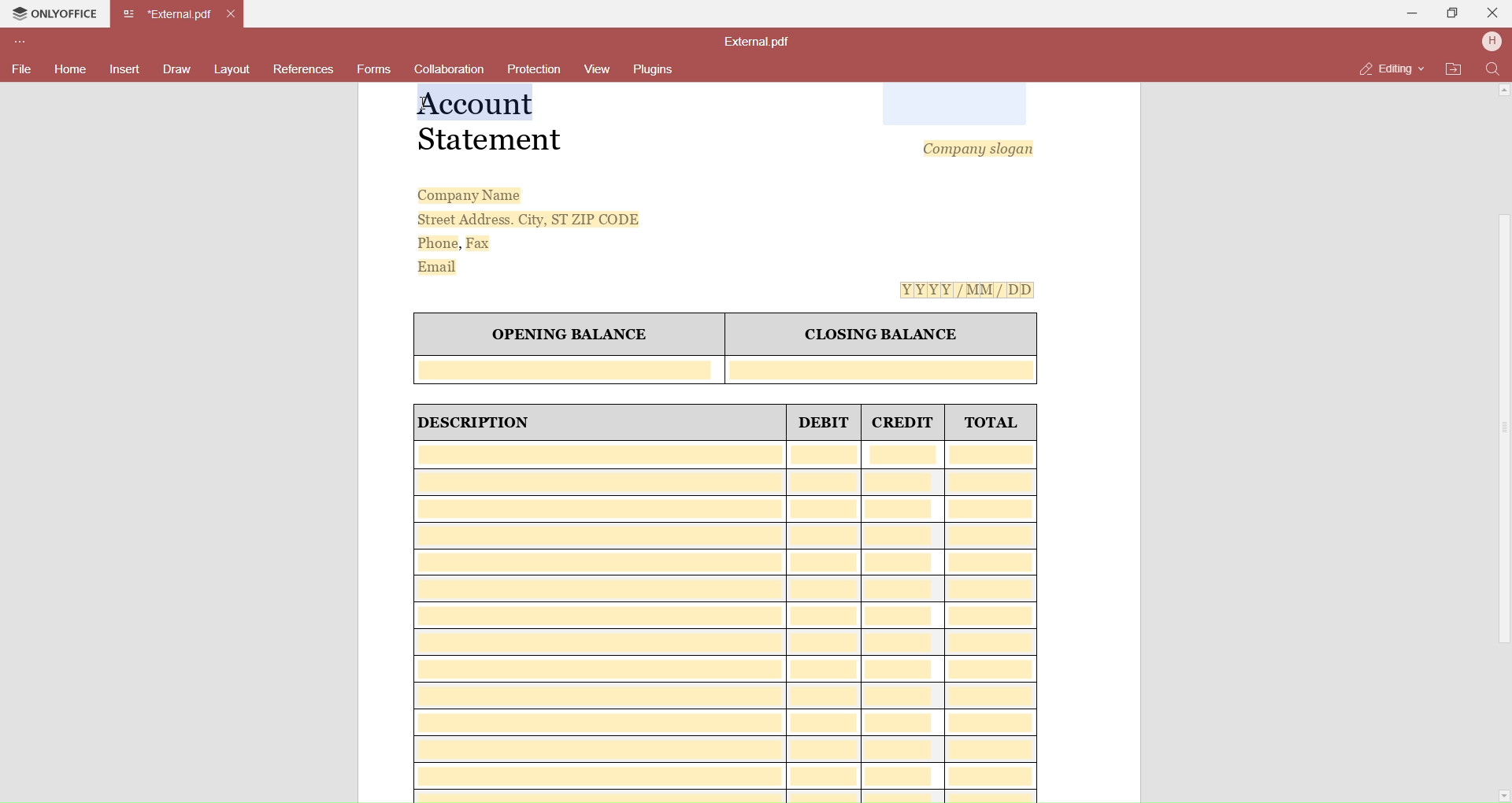  I want to click on Customize Toolbar, so click(27, 42).